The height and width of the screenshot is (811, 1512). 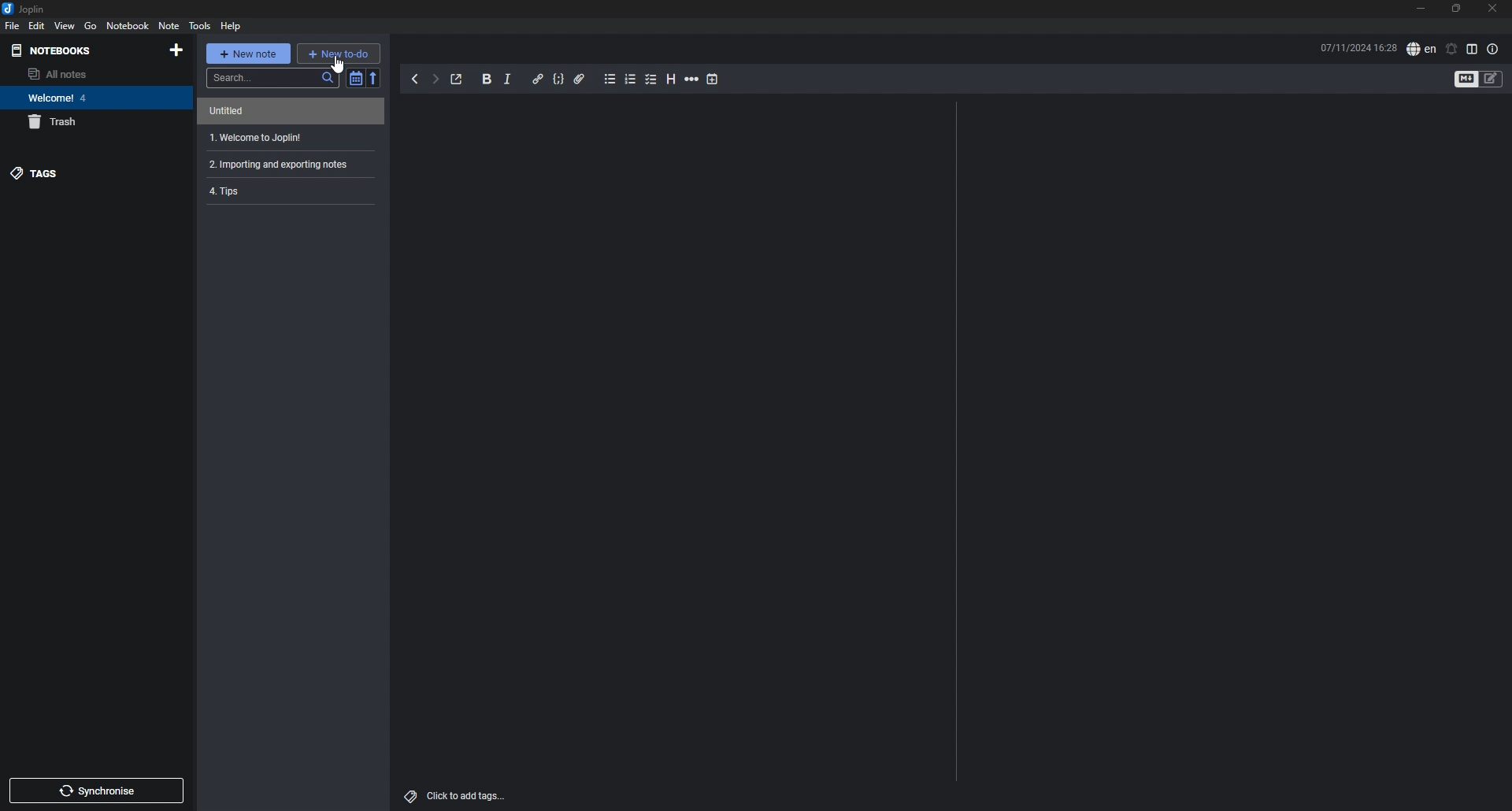 What do you see at coordinates (169, 26) in the screenshot?
I see `note` at bounding box center [169, 26].